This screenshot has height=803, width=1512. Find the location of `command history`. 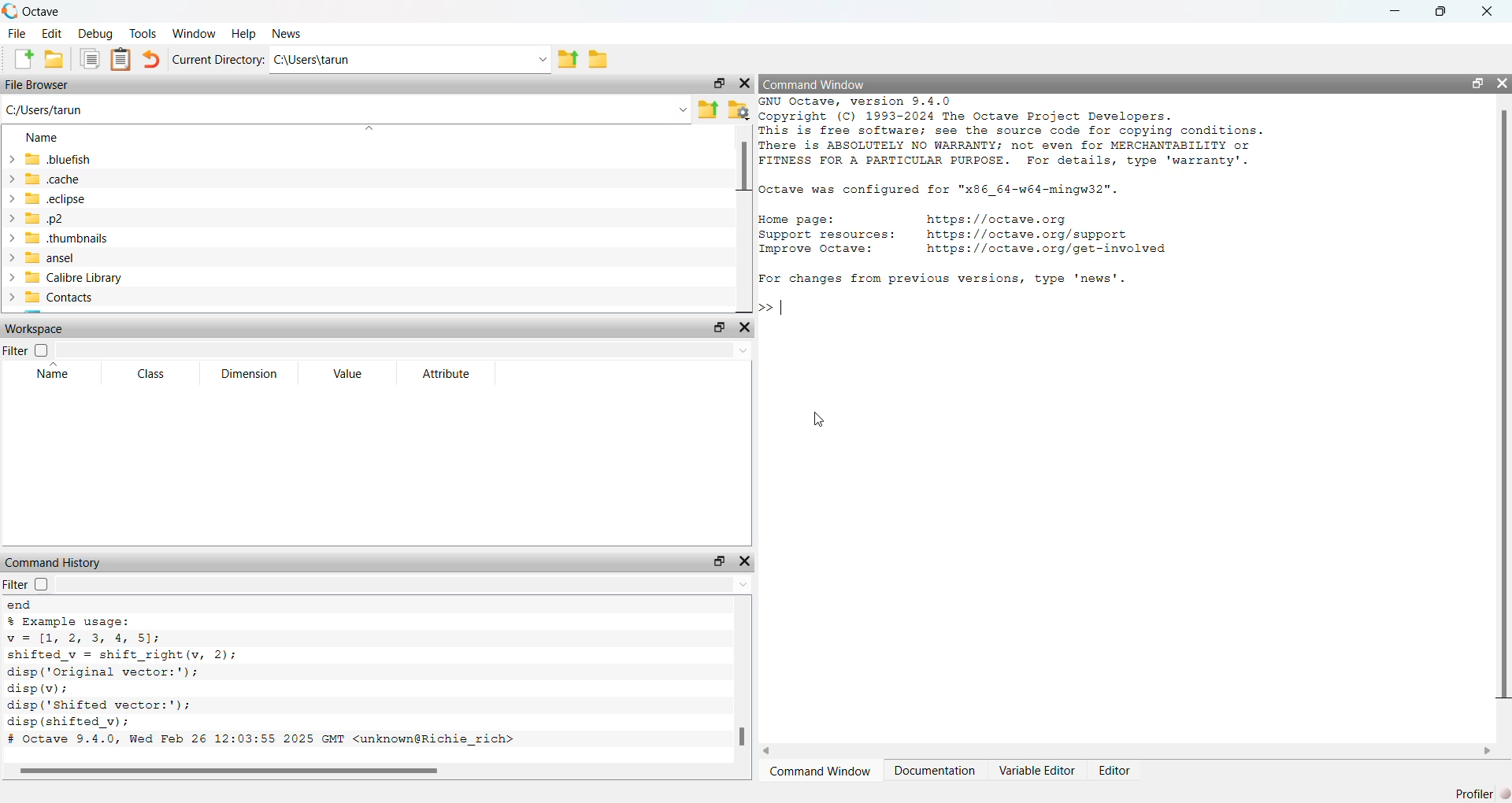

command history is located at coordinates (52, 562).